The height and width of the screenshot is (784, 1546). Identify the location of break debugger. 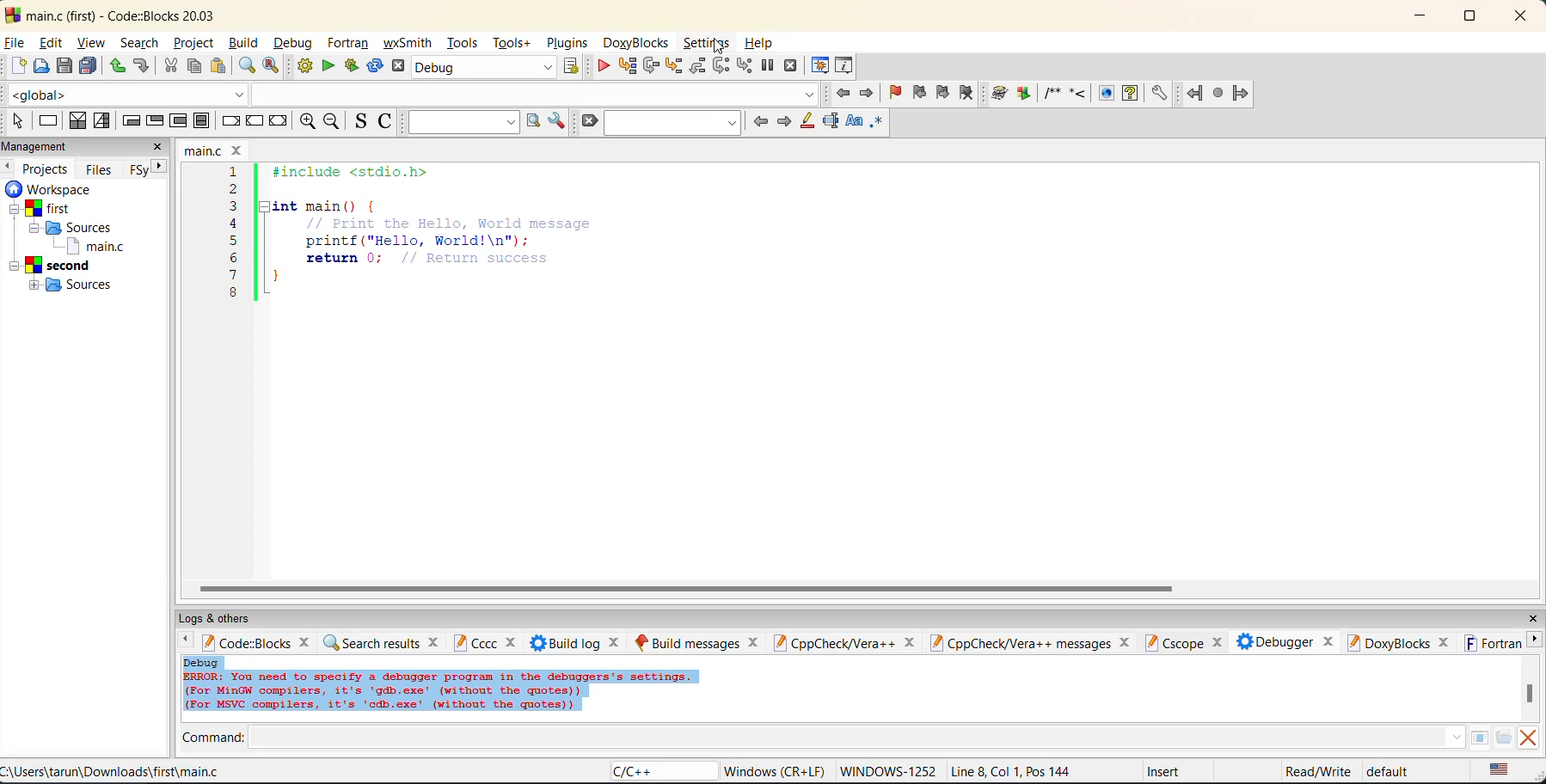
(769, 65).